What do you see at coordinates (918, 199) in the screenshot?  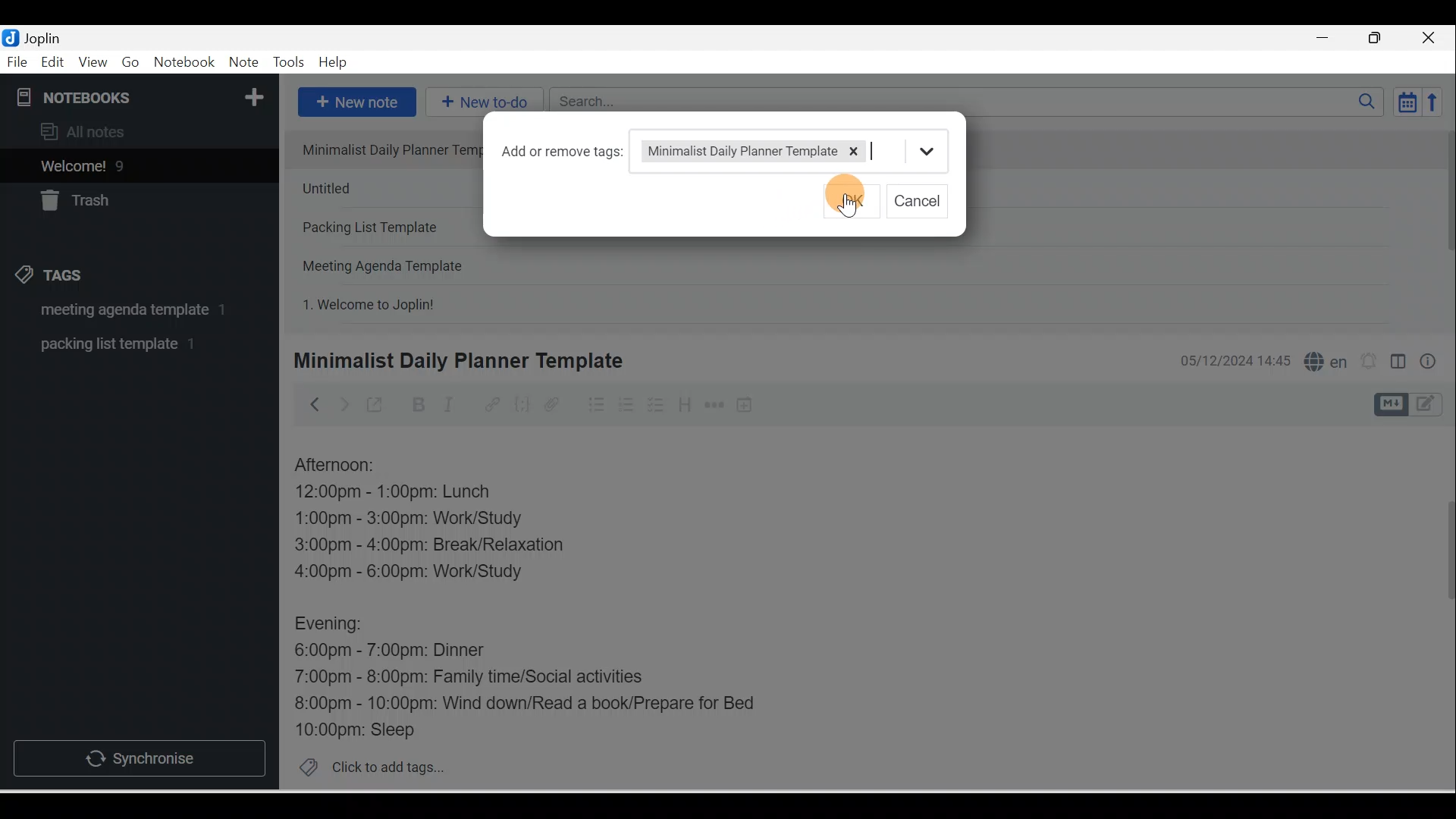 I see `cancel` at bounding box center [918, 199].